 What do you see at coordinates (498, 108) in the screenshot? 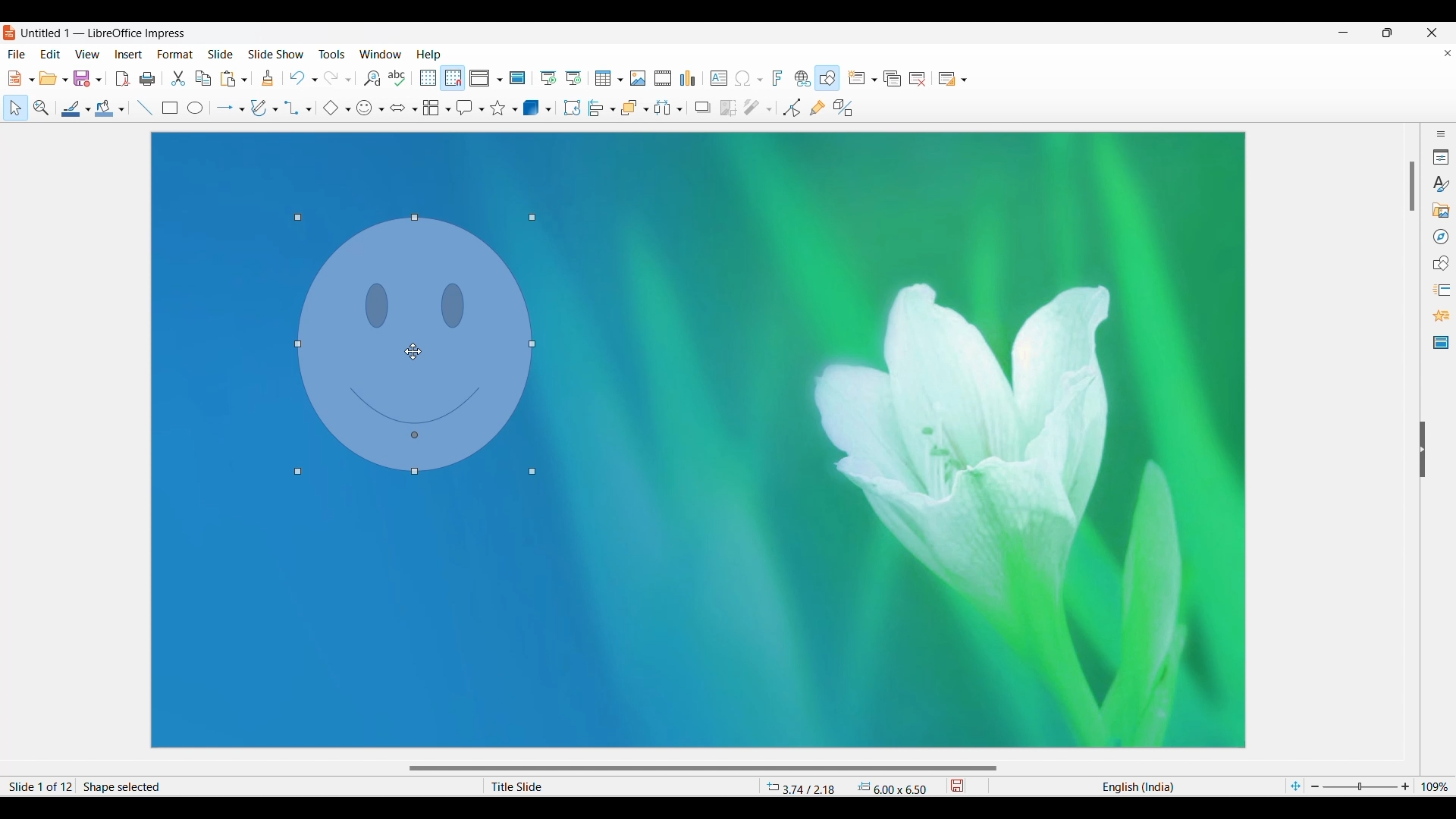
I see `Selected star` at bounding box center [498, 108].